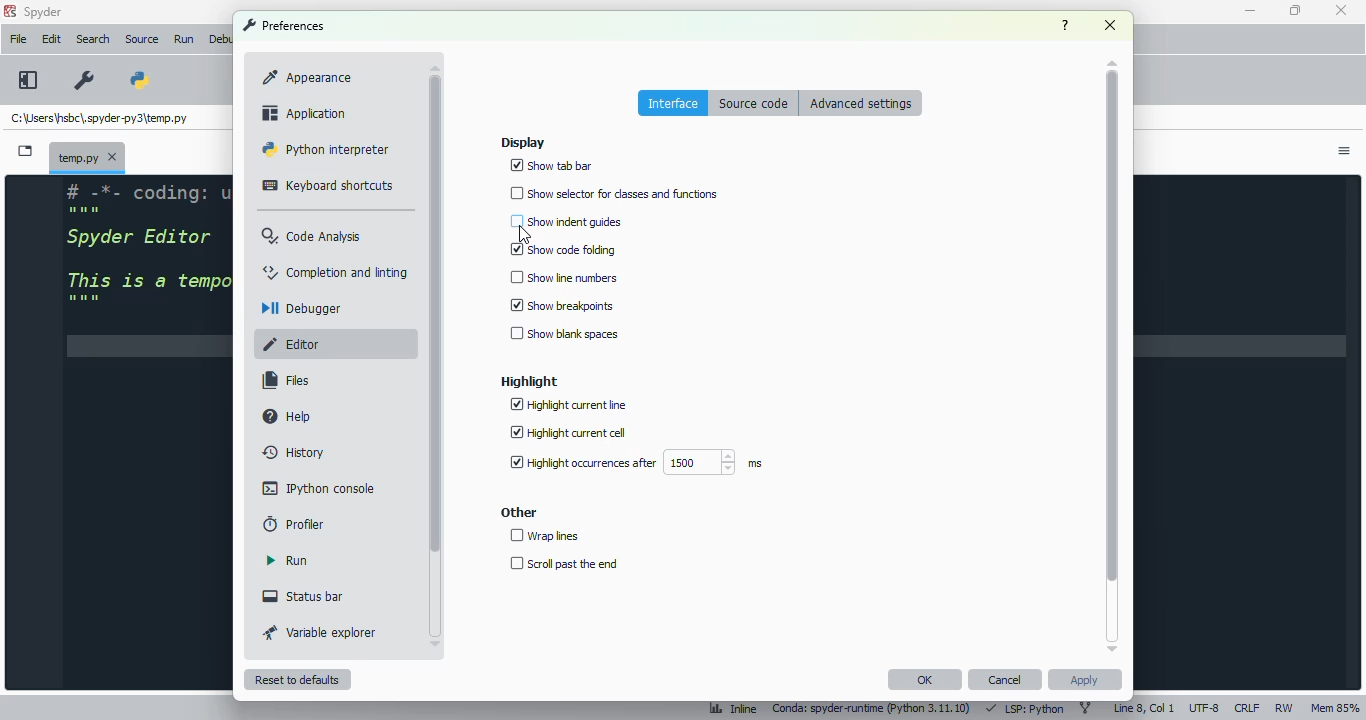 The width and height of the screenshot is (1366, 720). I want to click on line 8, col 1, so click(1146, 710).